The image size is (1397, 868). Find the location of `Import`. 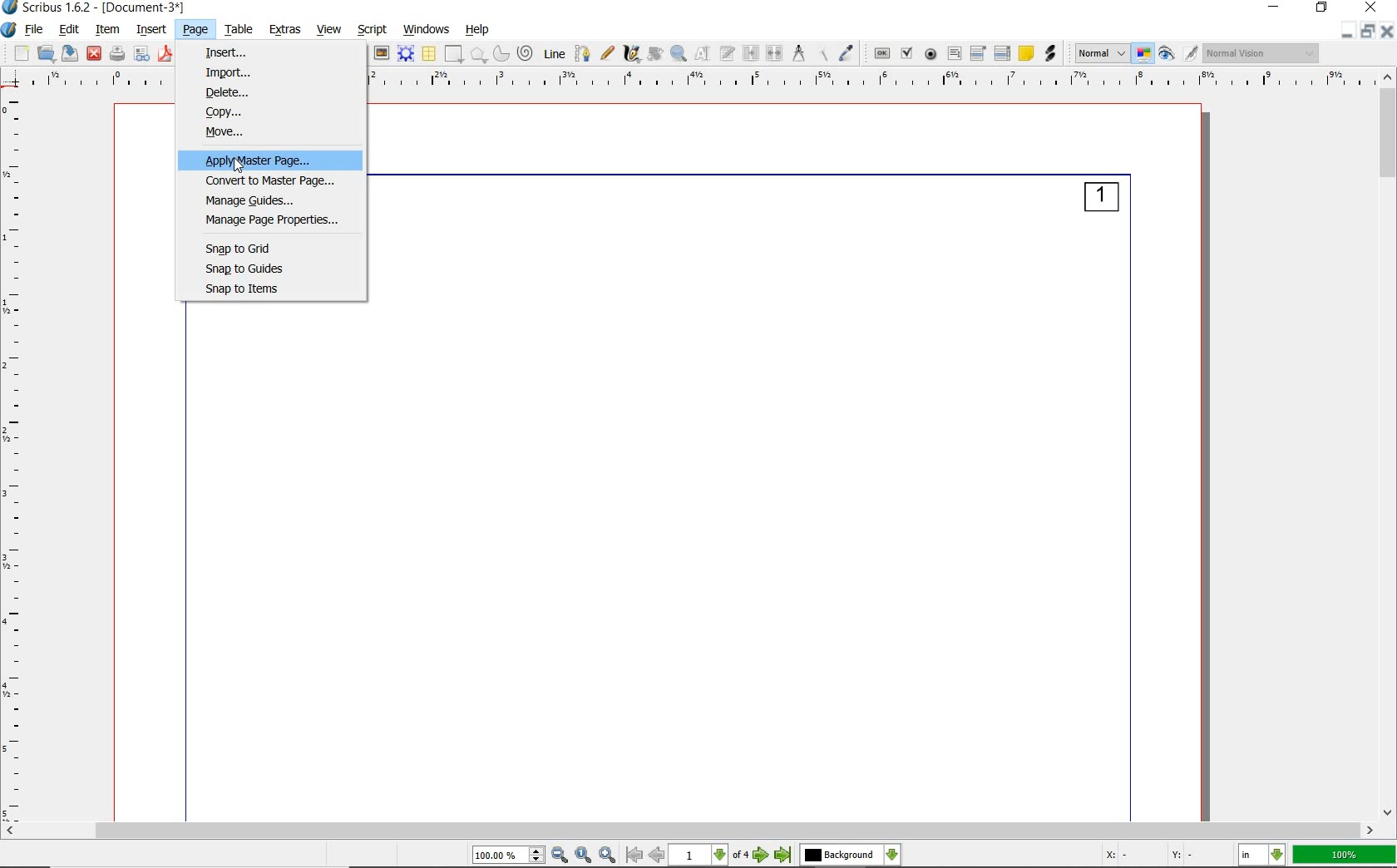

Import is located at coordinates (225, 72).